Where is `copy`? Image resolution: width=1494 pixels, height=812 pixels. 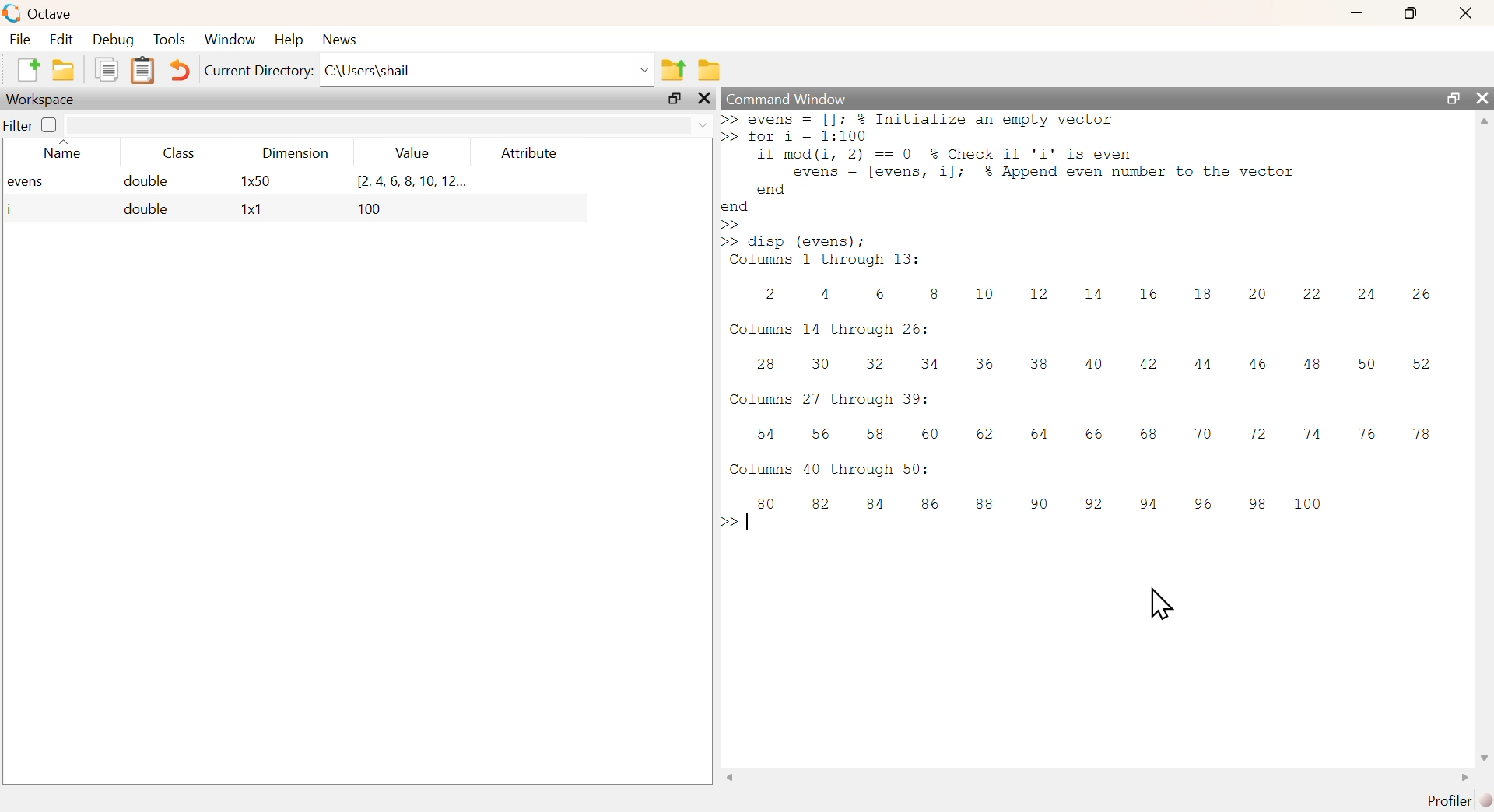 copy is located at coordinates (105, 72).